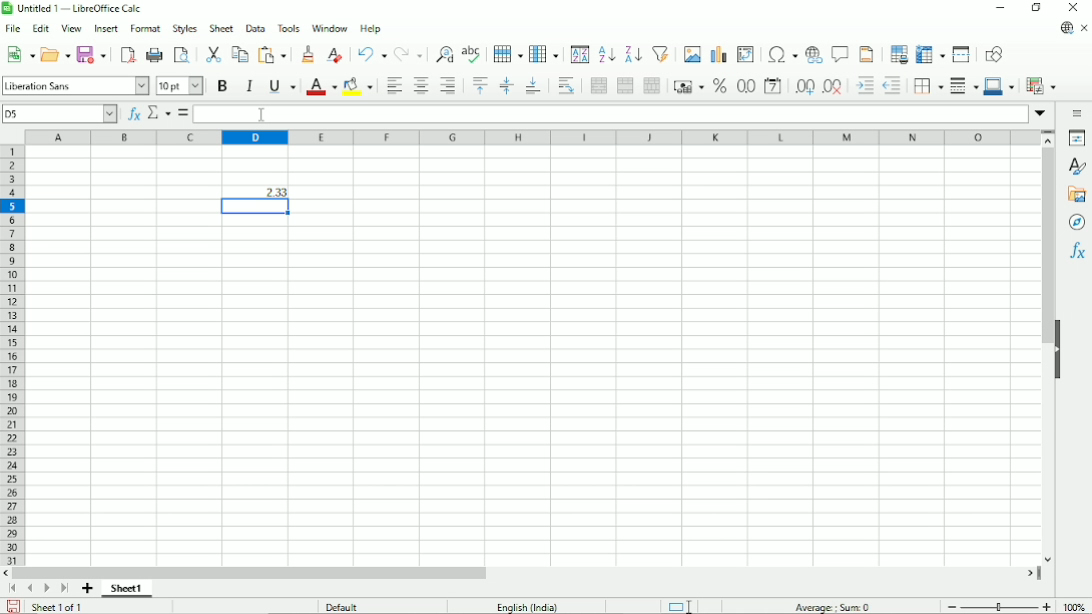  What do you see at coordinates (893, 86) in the screenshot?
I see `Decrease indent` at bounding box center [893, 86].